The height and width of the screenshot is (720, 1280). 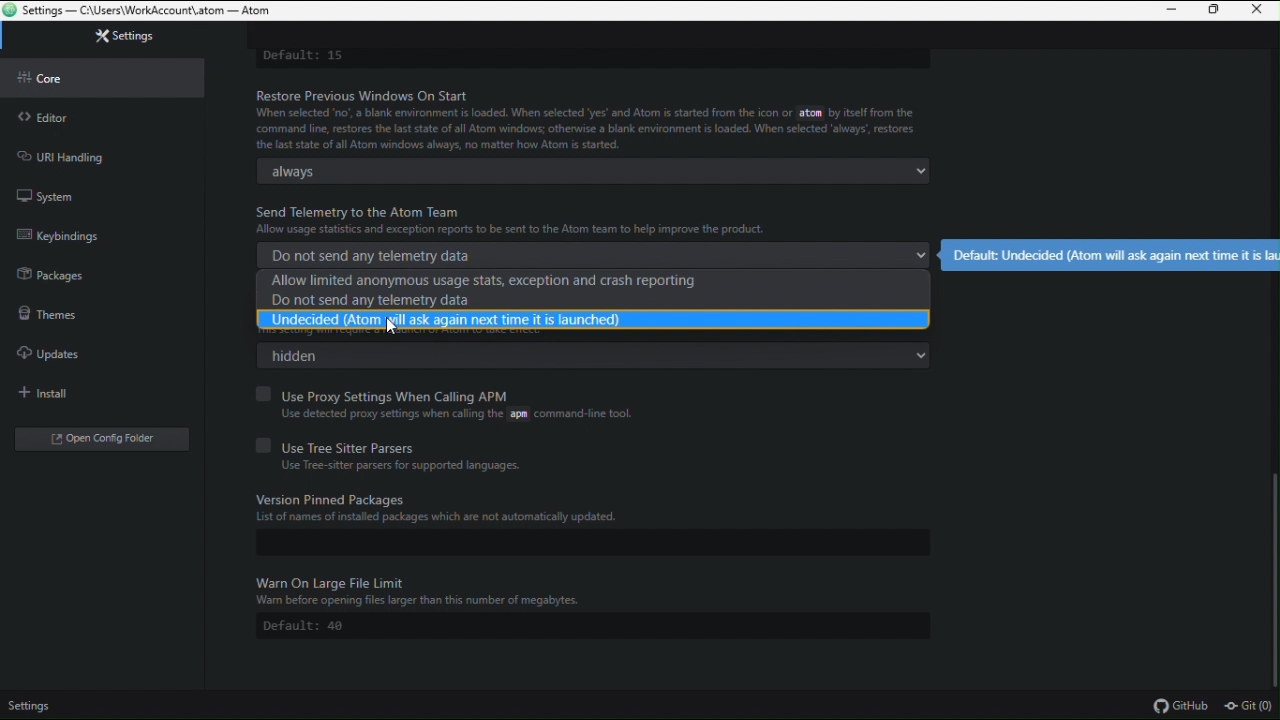 I want to click on Scroll up, so click(x=1272, y=572).